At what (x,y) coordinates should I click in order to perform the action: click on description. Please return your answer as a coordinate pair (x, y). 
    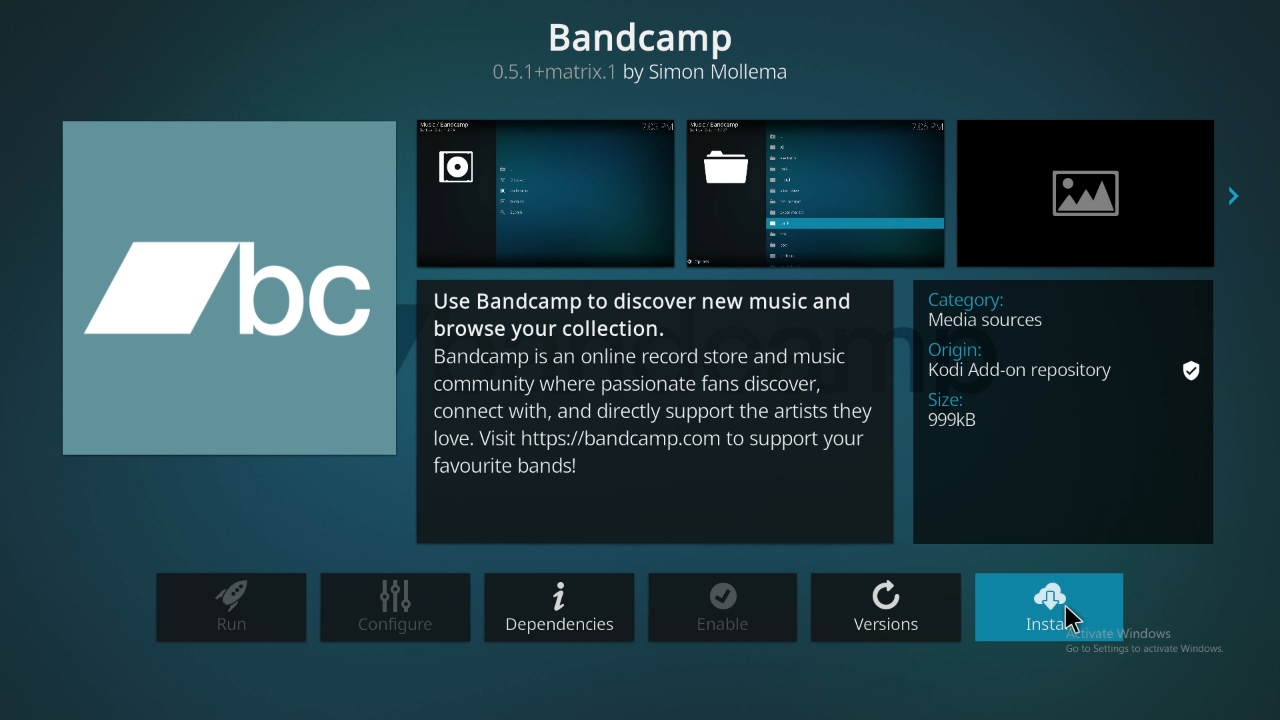
    Looking at the image, I should click on (1065, 410).